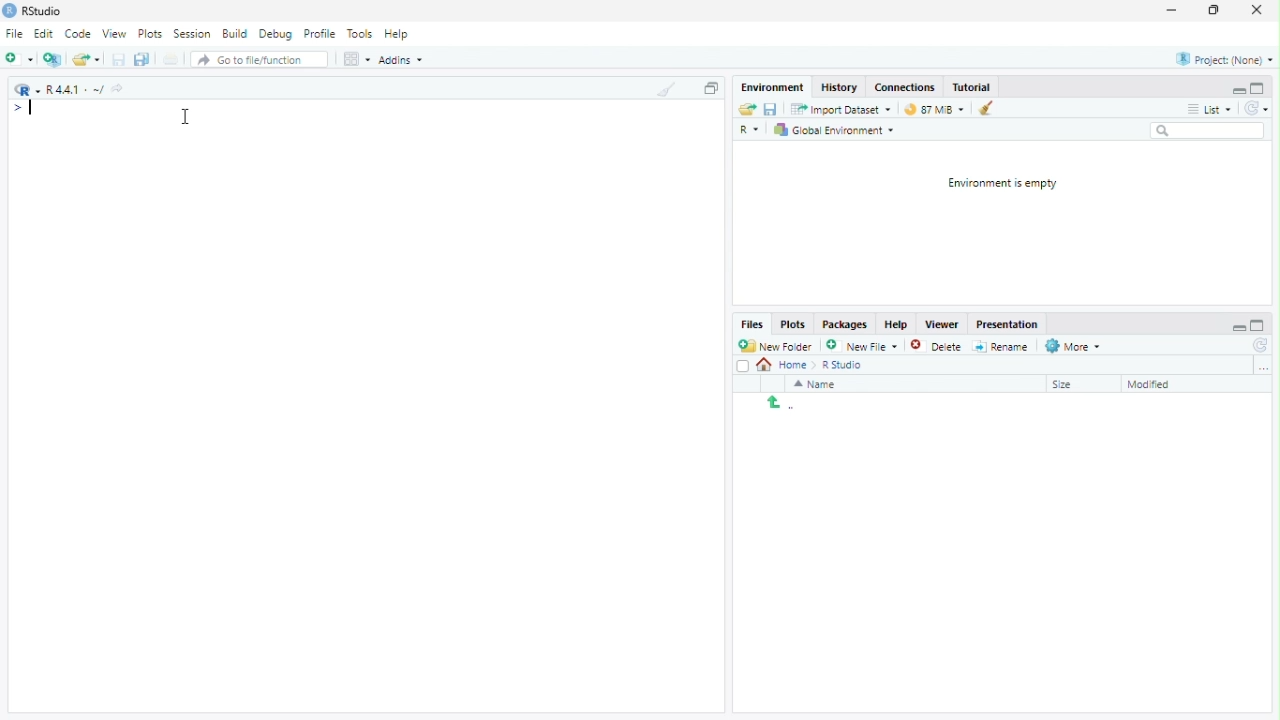 This screenshot has width=1280, height=720. What do you see at coordinates (845, 325) in the screenshot?
I see `Packages` at bounding box center [845, 325].